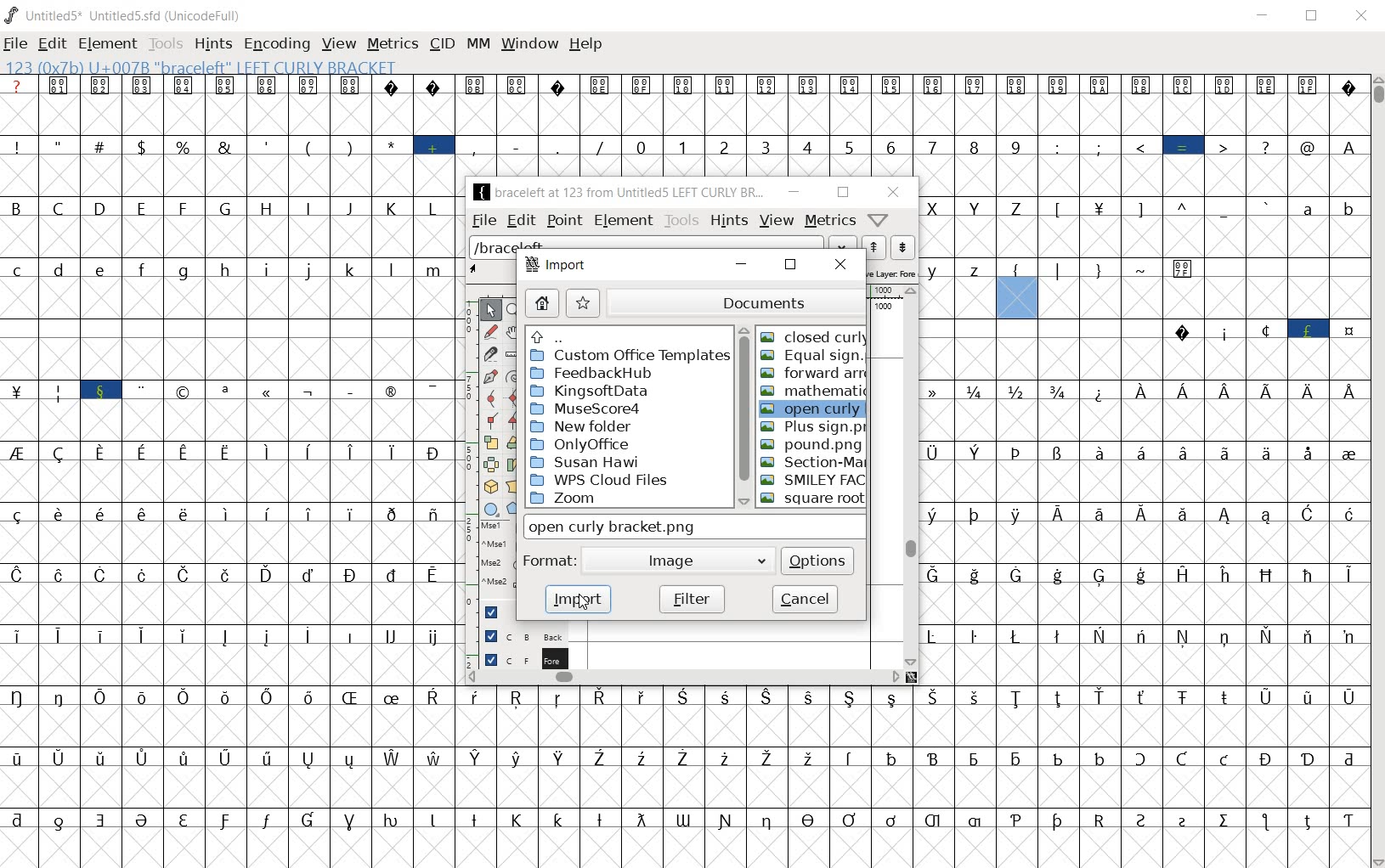  What do you see at coordinates (51, 46) in the screenshot?
I see `edit` at bounding box center [51, 46].